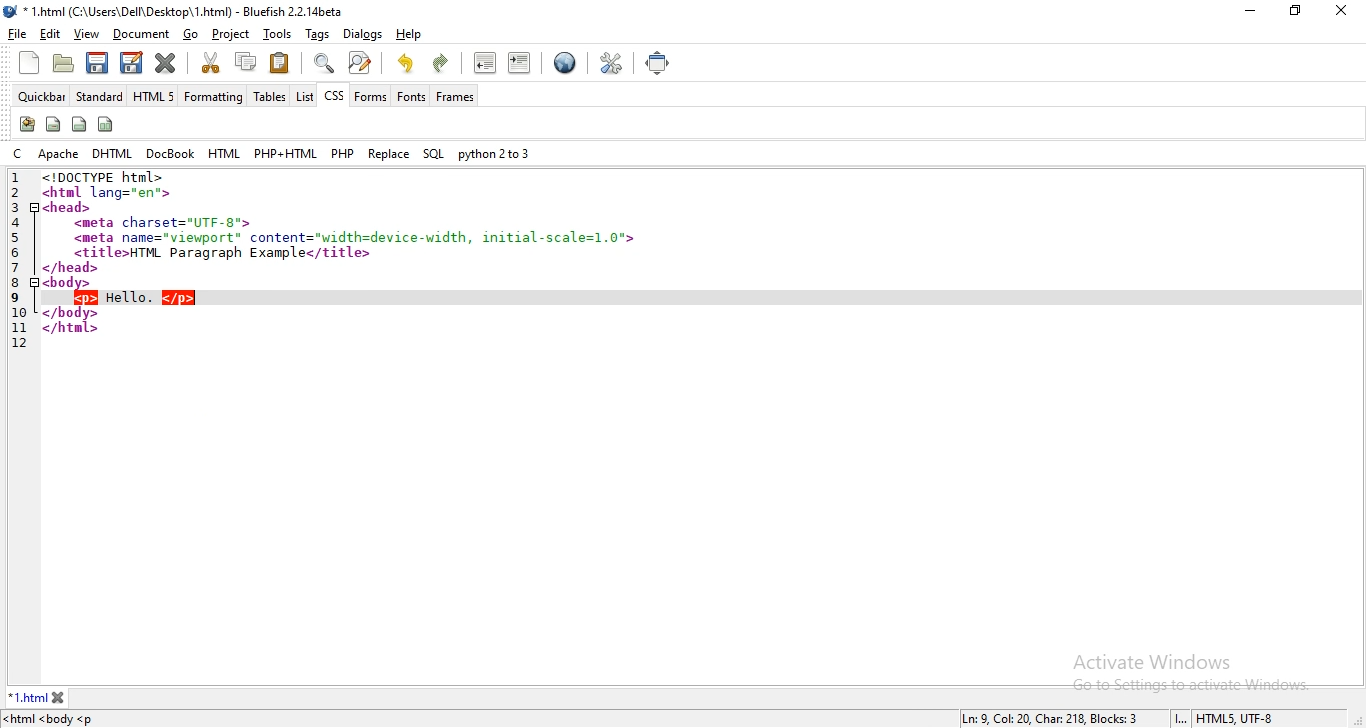  What do you see at coordinates (223, 153) in the screenshot?
I see `html` at bounding box center [223, 153].